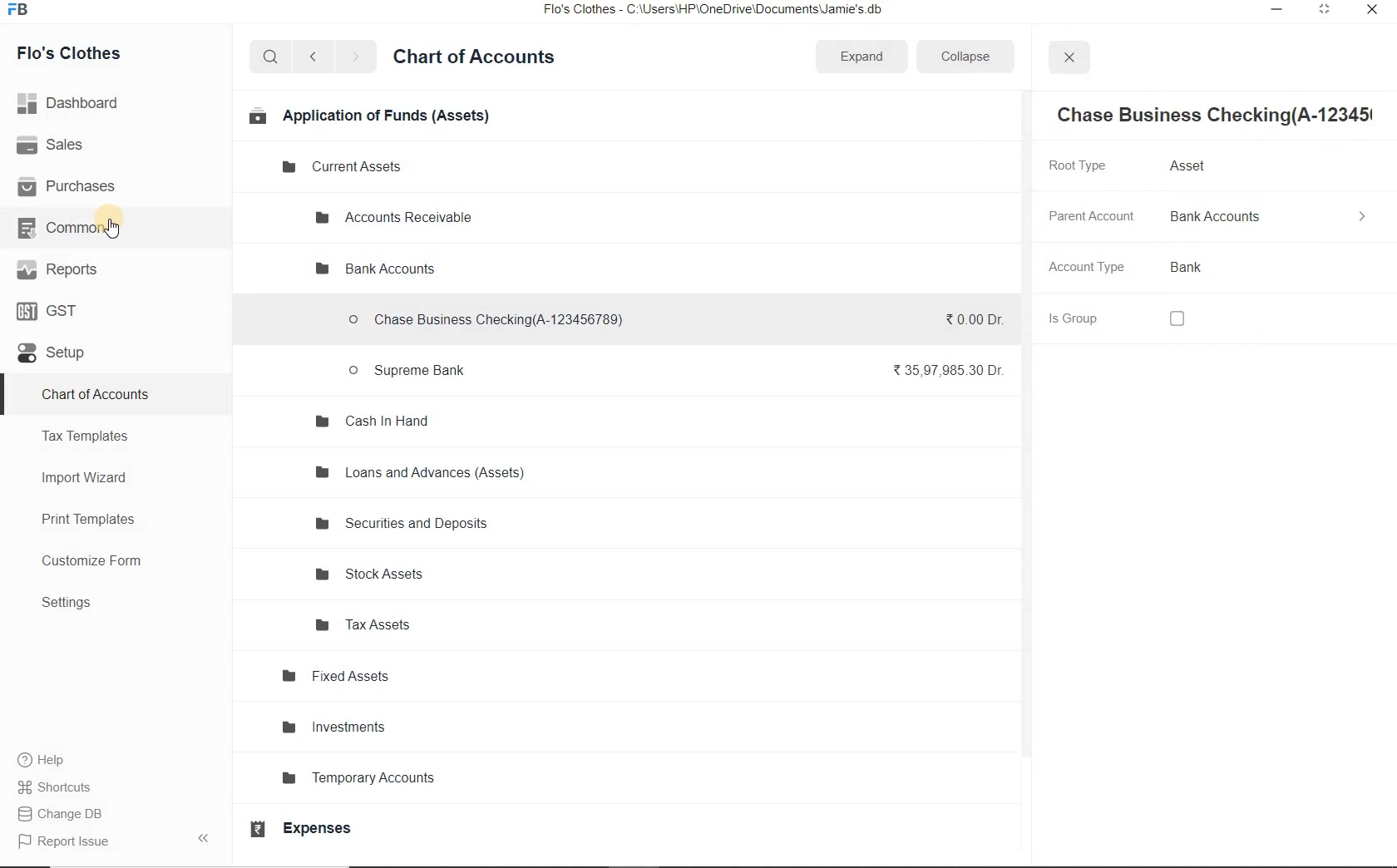  I want to click on Flo's Clothes - C:\Users\HP\OneDrive\Documents\Jamie's.db, so click(714, 12).